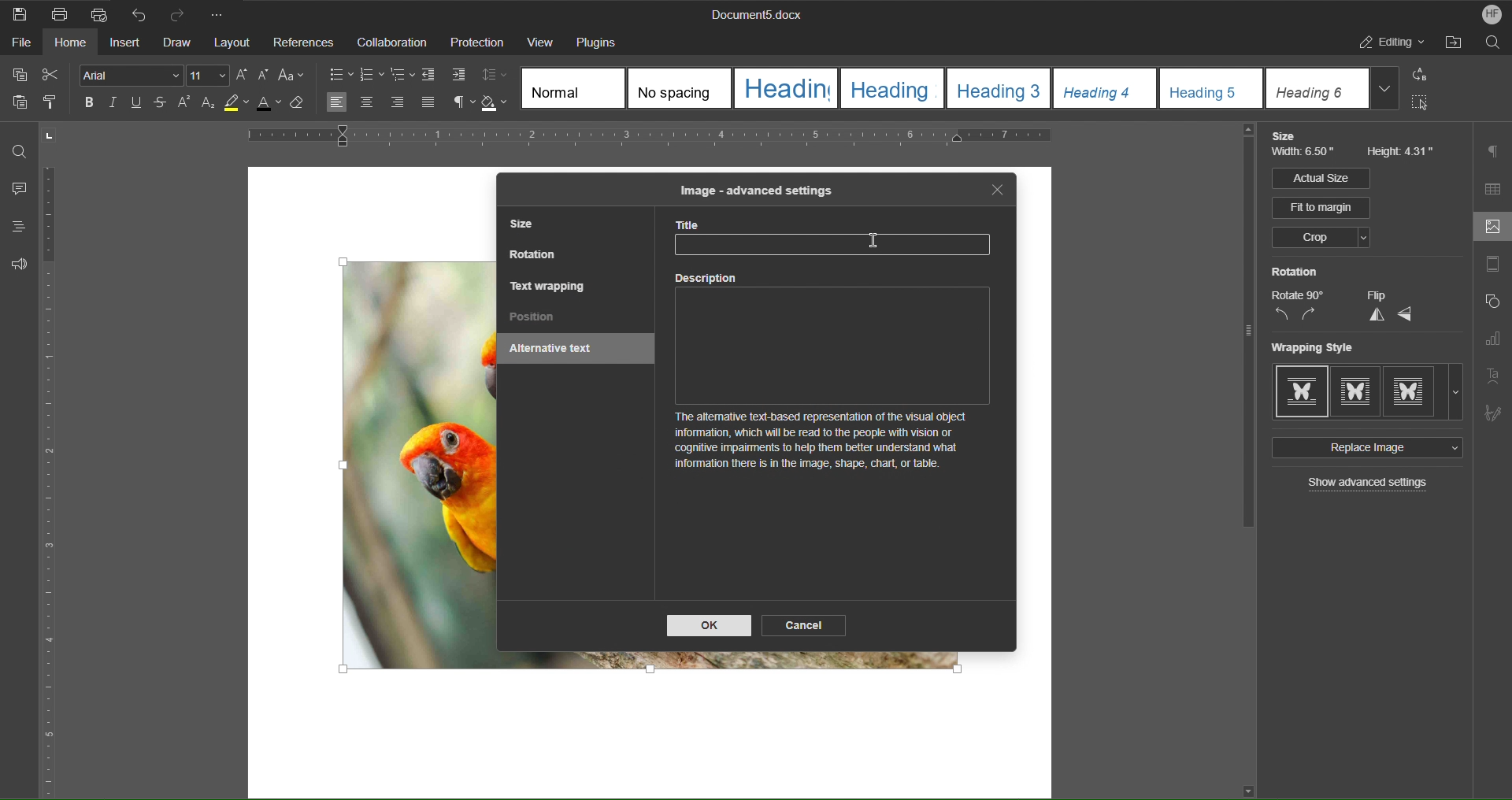 The height and width of the screenshot is (800, 1512). Describe the element at coordinates (1495, 375) in the screenshot. I see `Text Art` at that location.